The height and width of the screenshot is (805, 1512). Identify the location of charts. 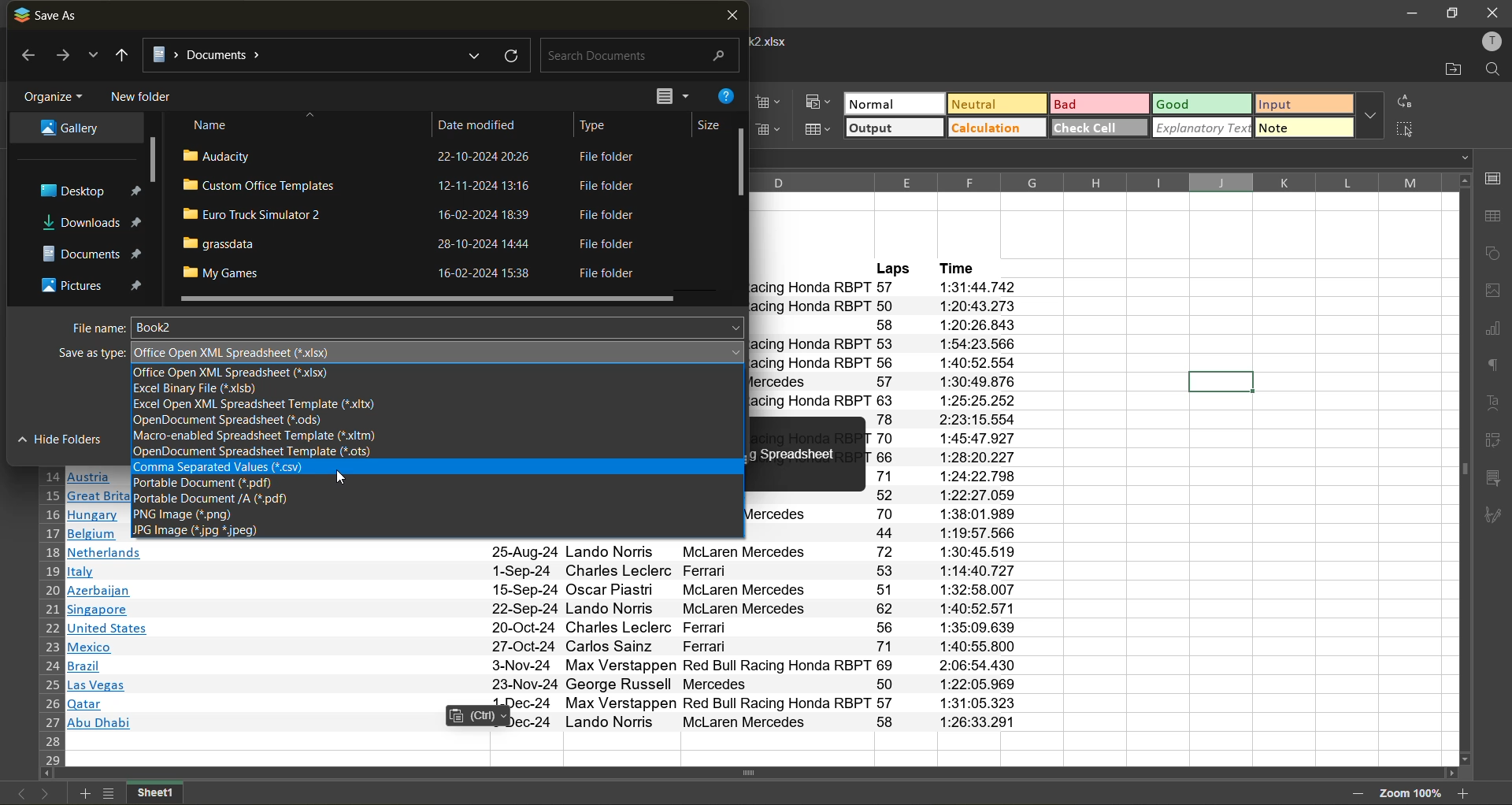
(1492, 331).